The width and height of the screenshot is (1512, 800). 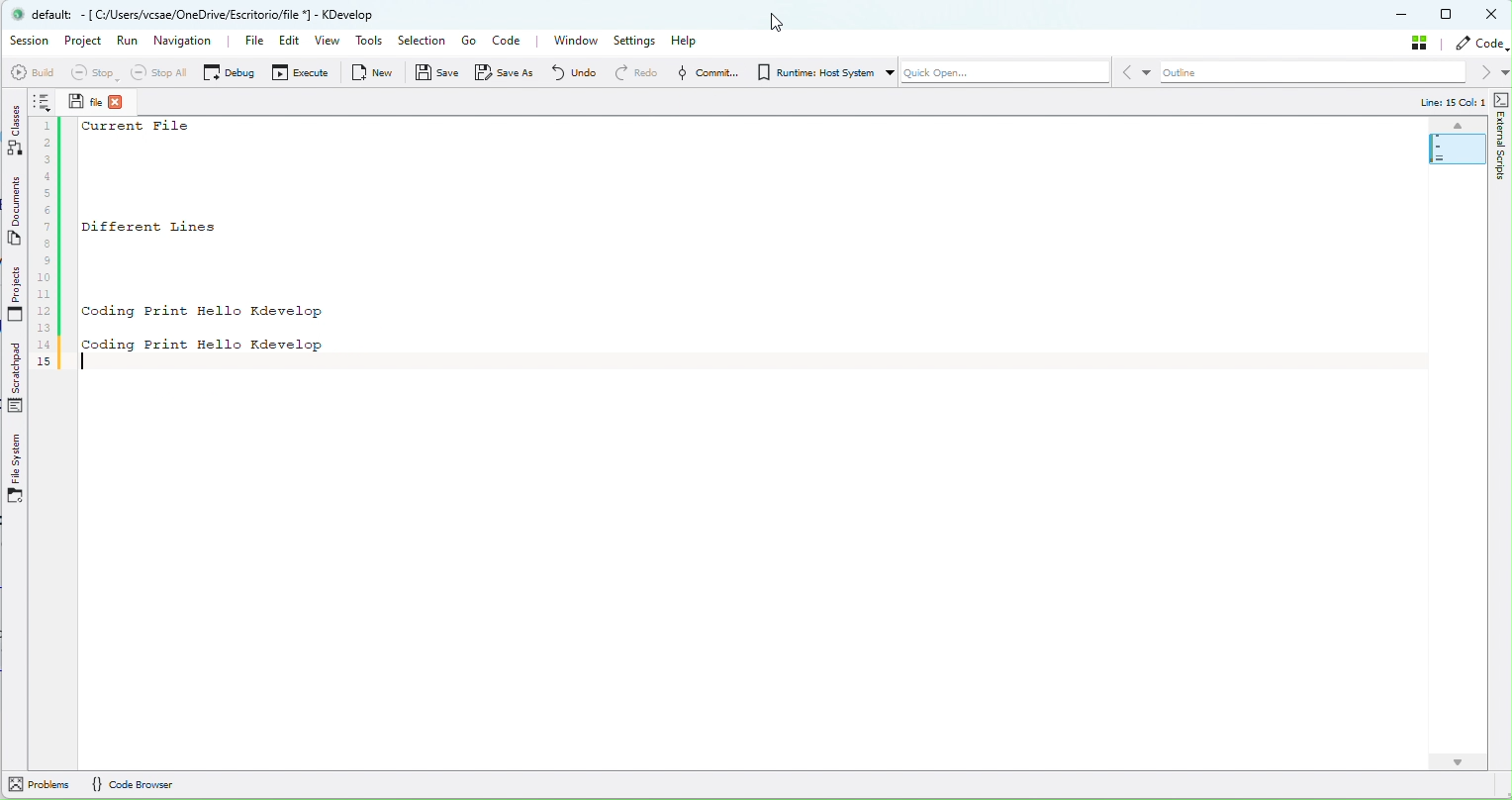 What do you see at coordinates (1482, 44) in the screenshot?
I see `code` at bounding box center [1482, 44].